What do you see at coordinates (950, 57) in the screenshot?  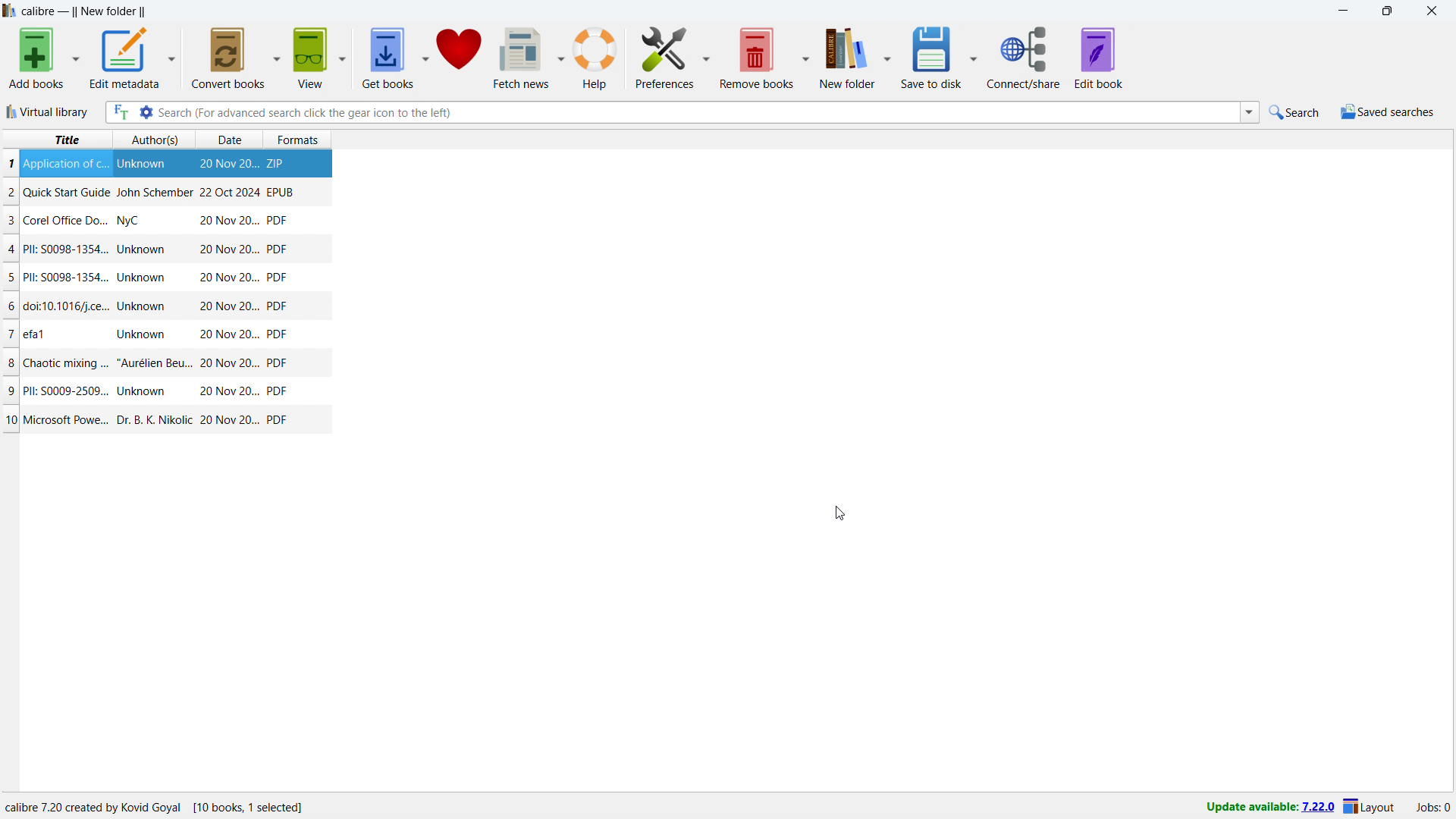 I see `save to disk` at bounding box center [950, 57].